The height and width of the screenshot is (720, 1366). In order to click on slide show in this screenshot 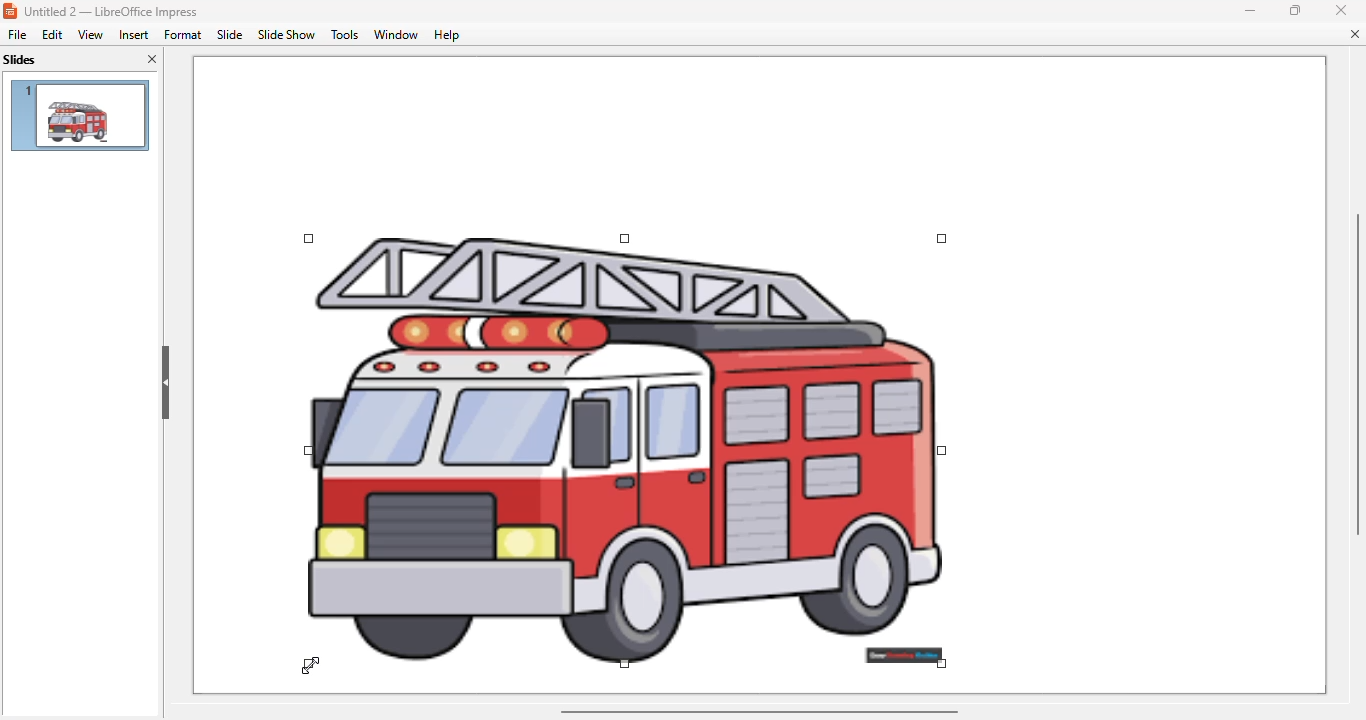, I will do `click(287, 34)`.